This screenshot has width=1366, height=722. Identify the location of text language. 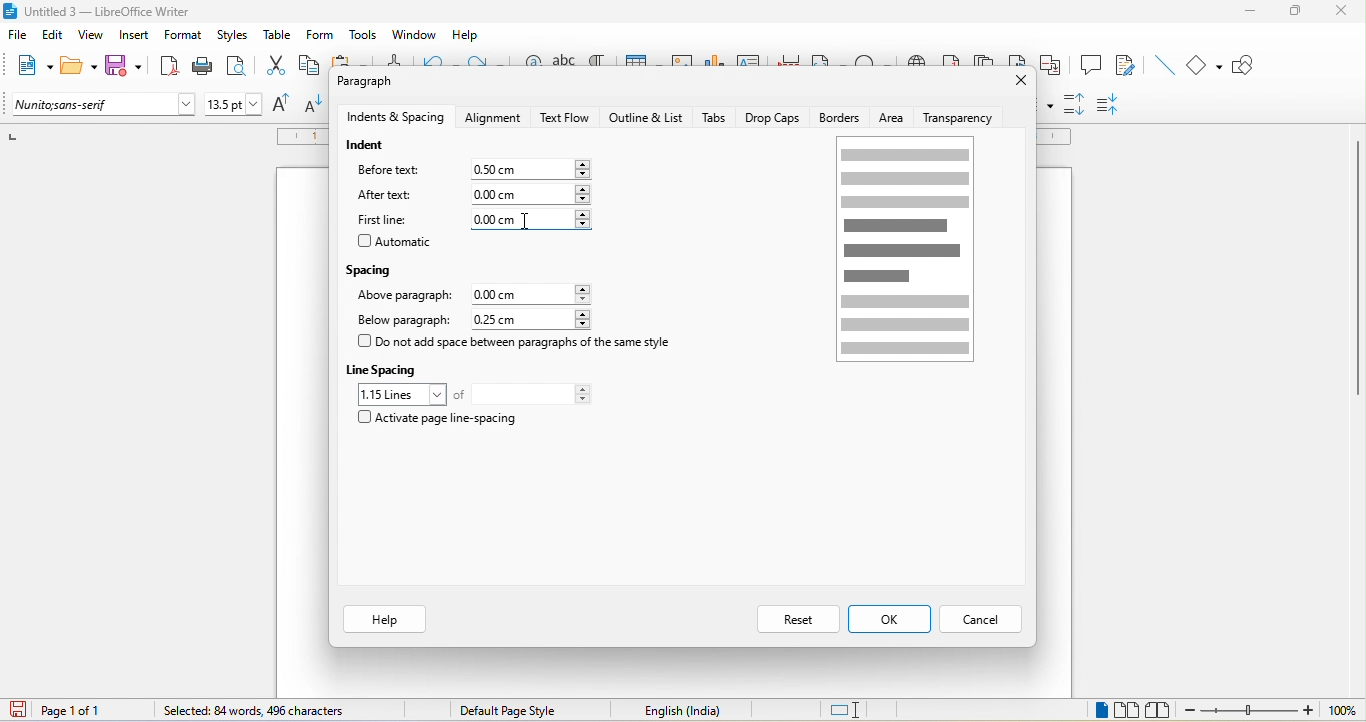
(710, 710).